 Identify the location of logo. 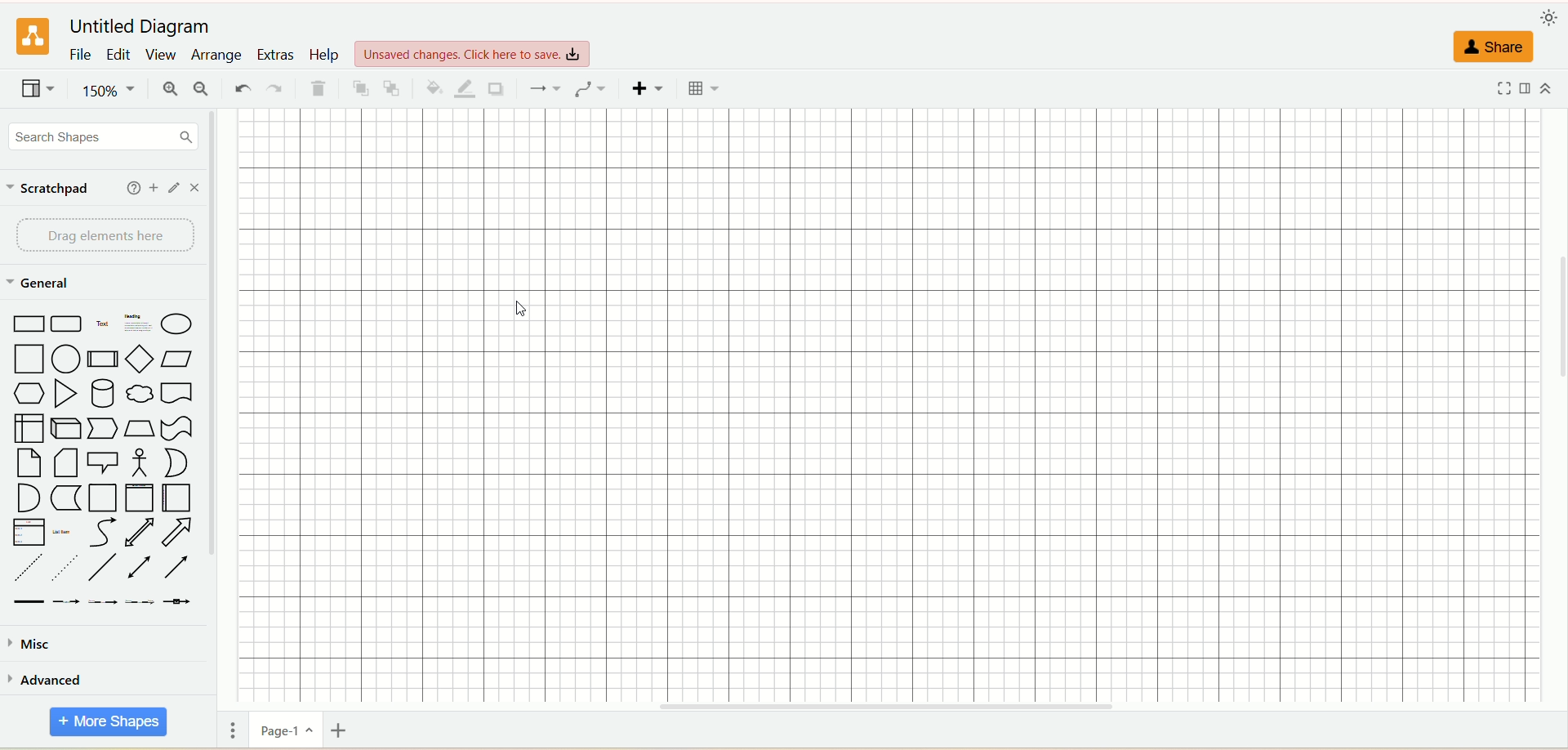
(32, 35).